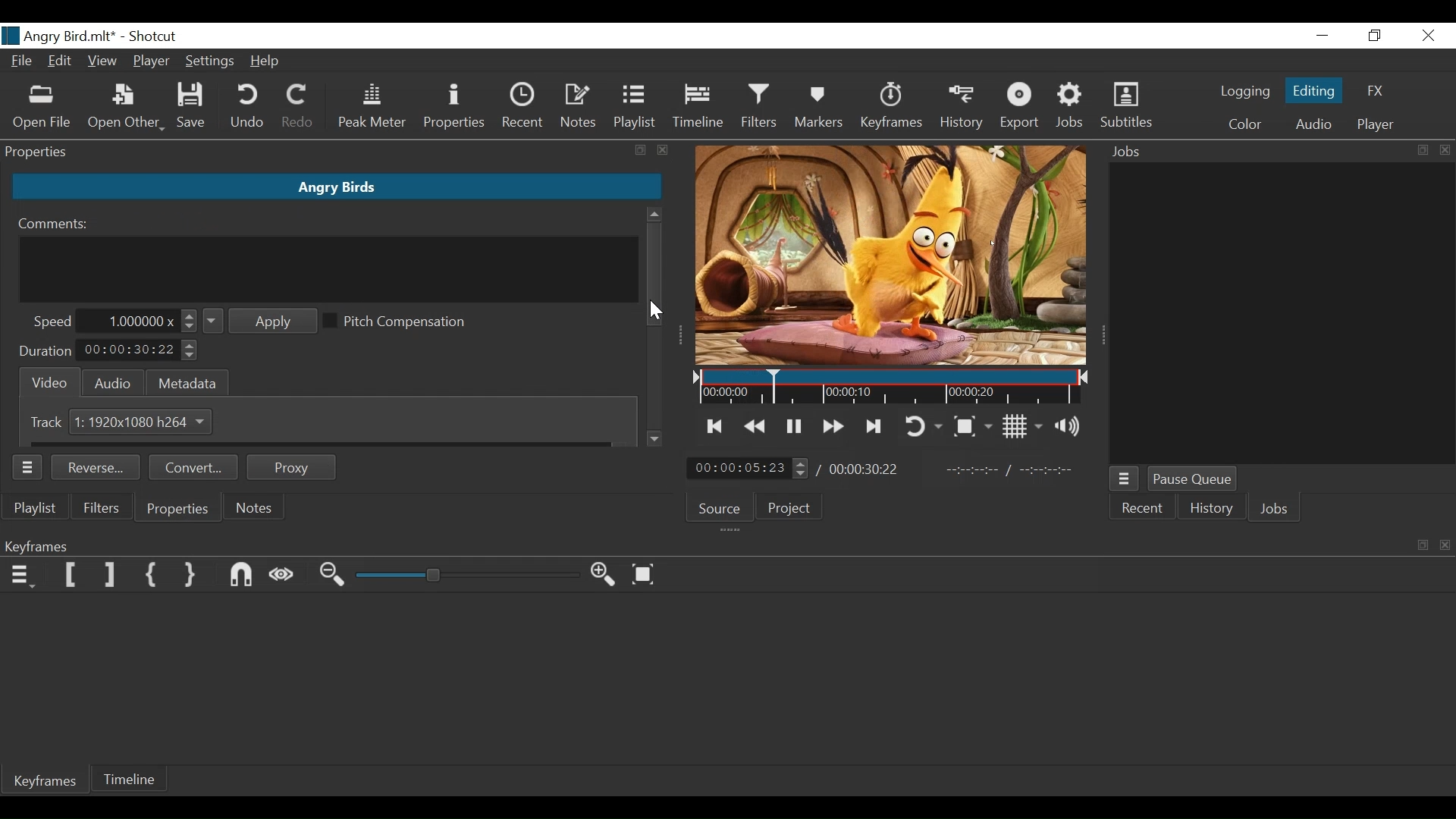 The height and width of the screenshot is (819, 1456). Describe the element at coordinates (57, 421) in the screenshot. I see `Track 1` at that location.